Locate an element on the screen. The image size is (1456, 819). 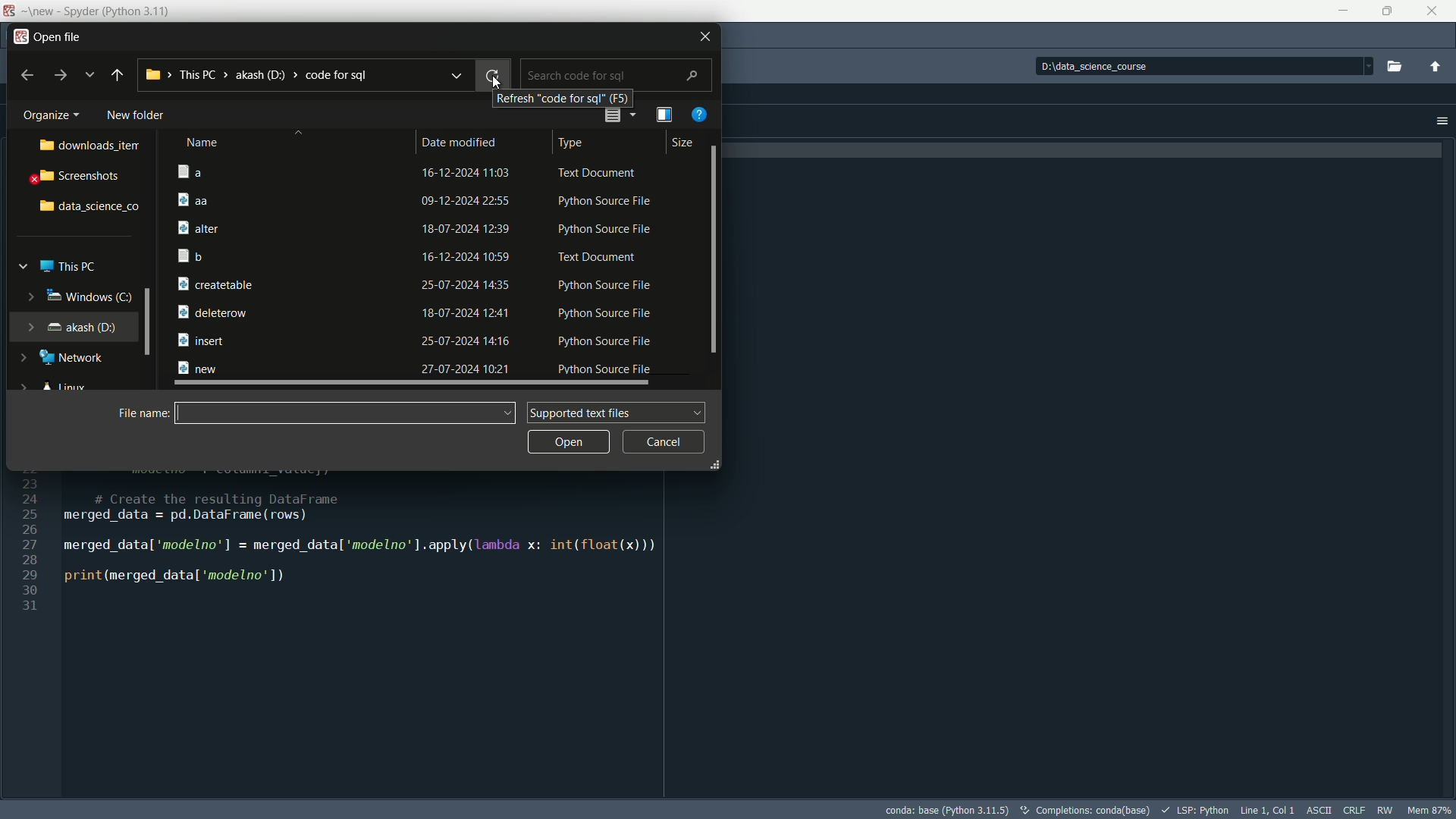
Maximize is located at coordinates (1388, 12).